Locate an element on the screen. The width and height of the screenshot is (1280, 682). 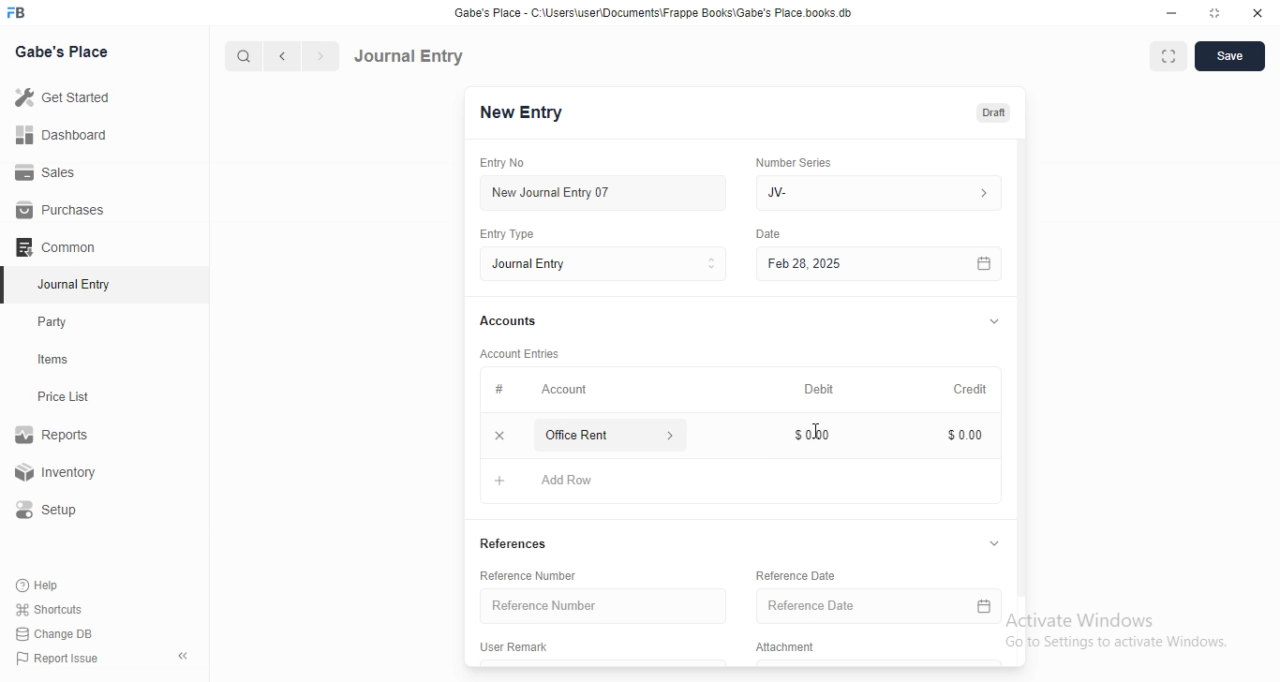
x Office Rent > is located at coordinates (588, 435).